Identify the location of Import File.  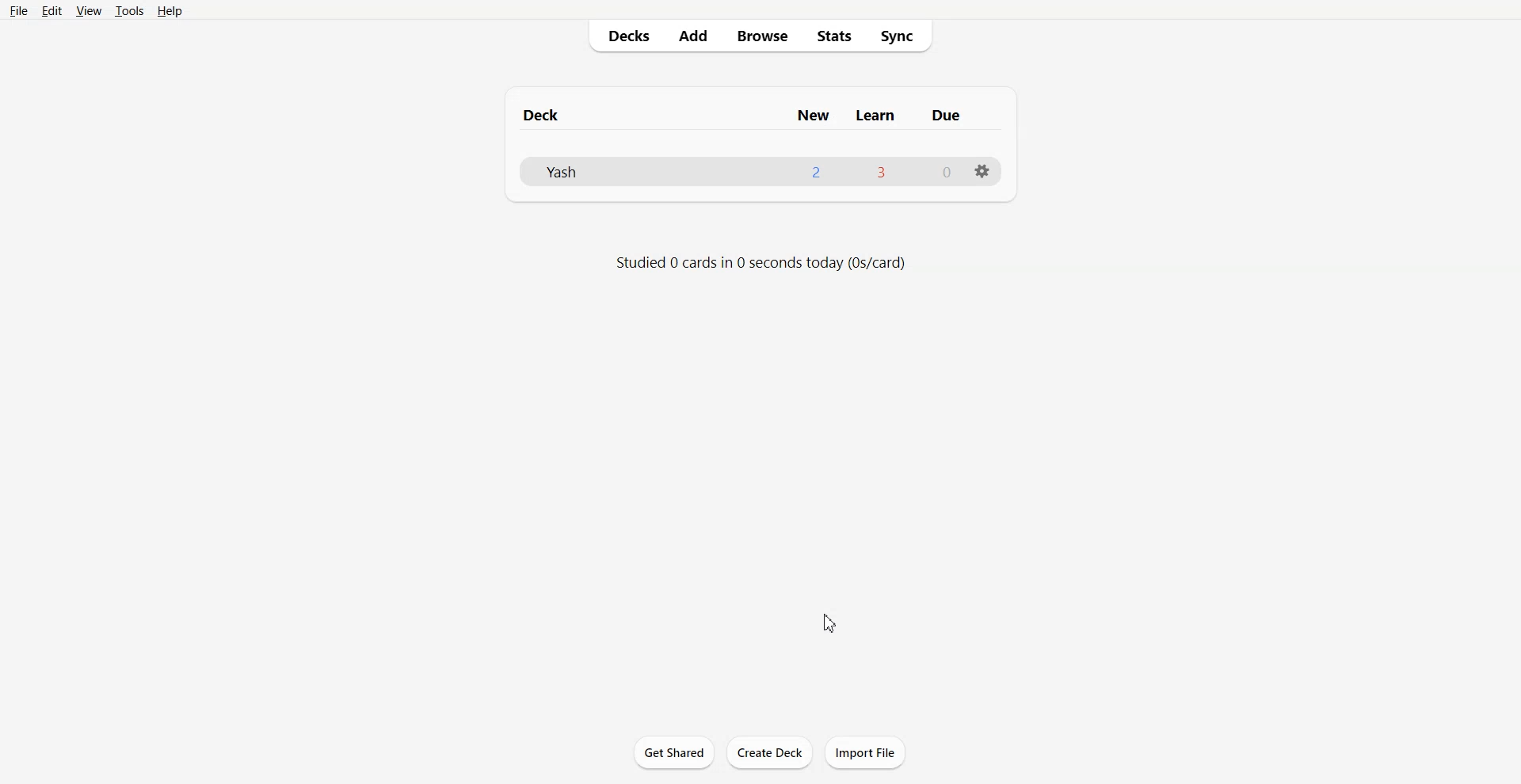
(866, 752).